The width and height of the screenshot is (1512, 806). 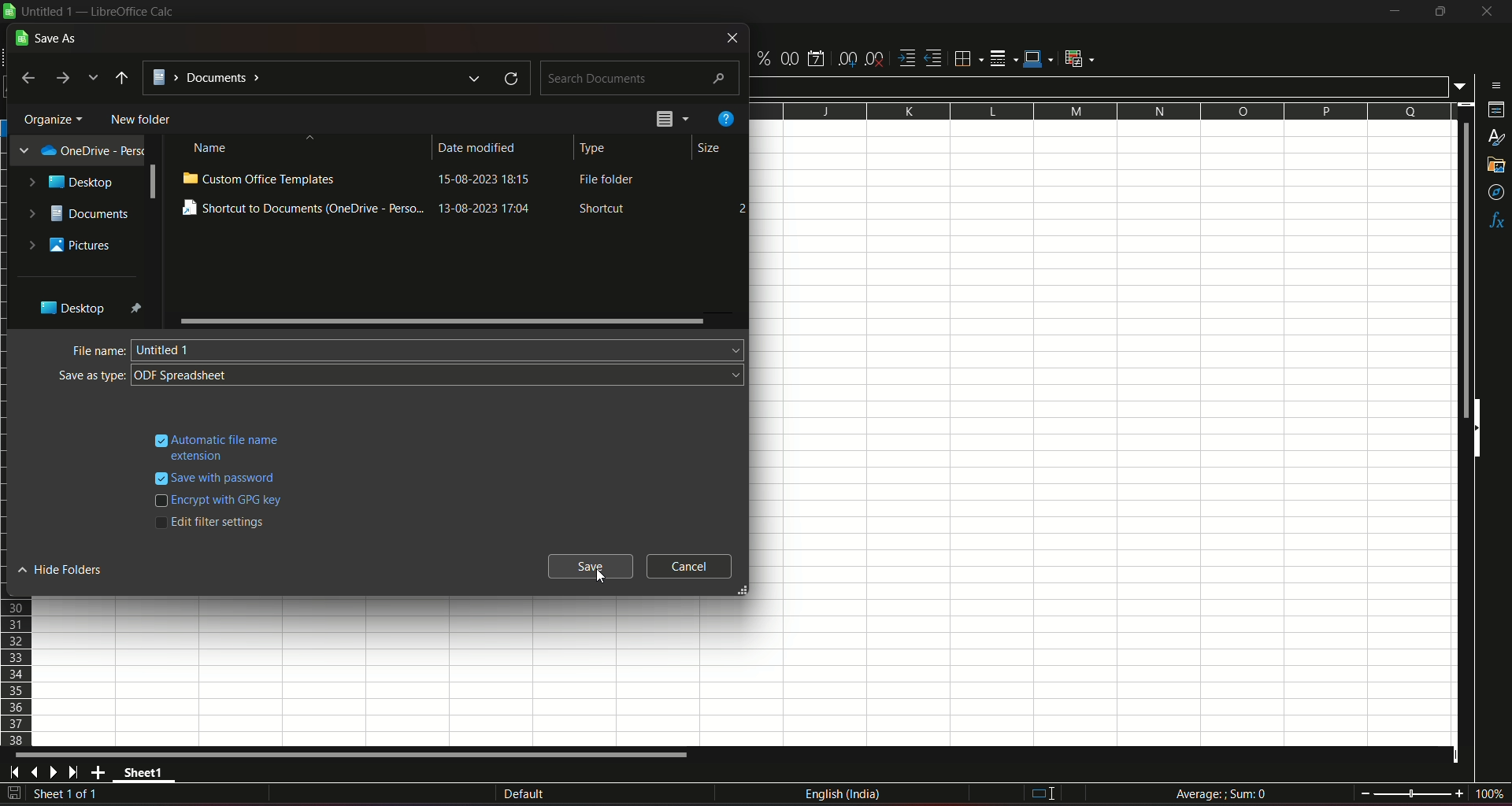 What do you see at coordinates (934, 59) in the screenshot?
I see `decrease indent` at bounding box center [934, 59].